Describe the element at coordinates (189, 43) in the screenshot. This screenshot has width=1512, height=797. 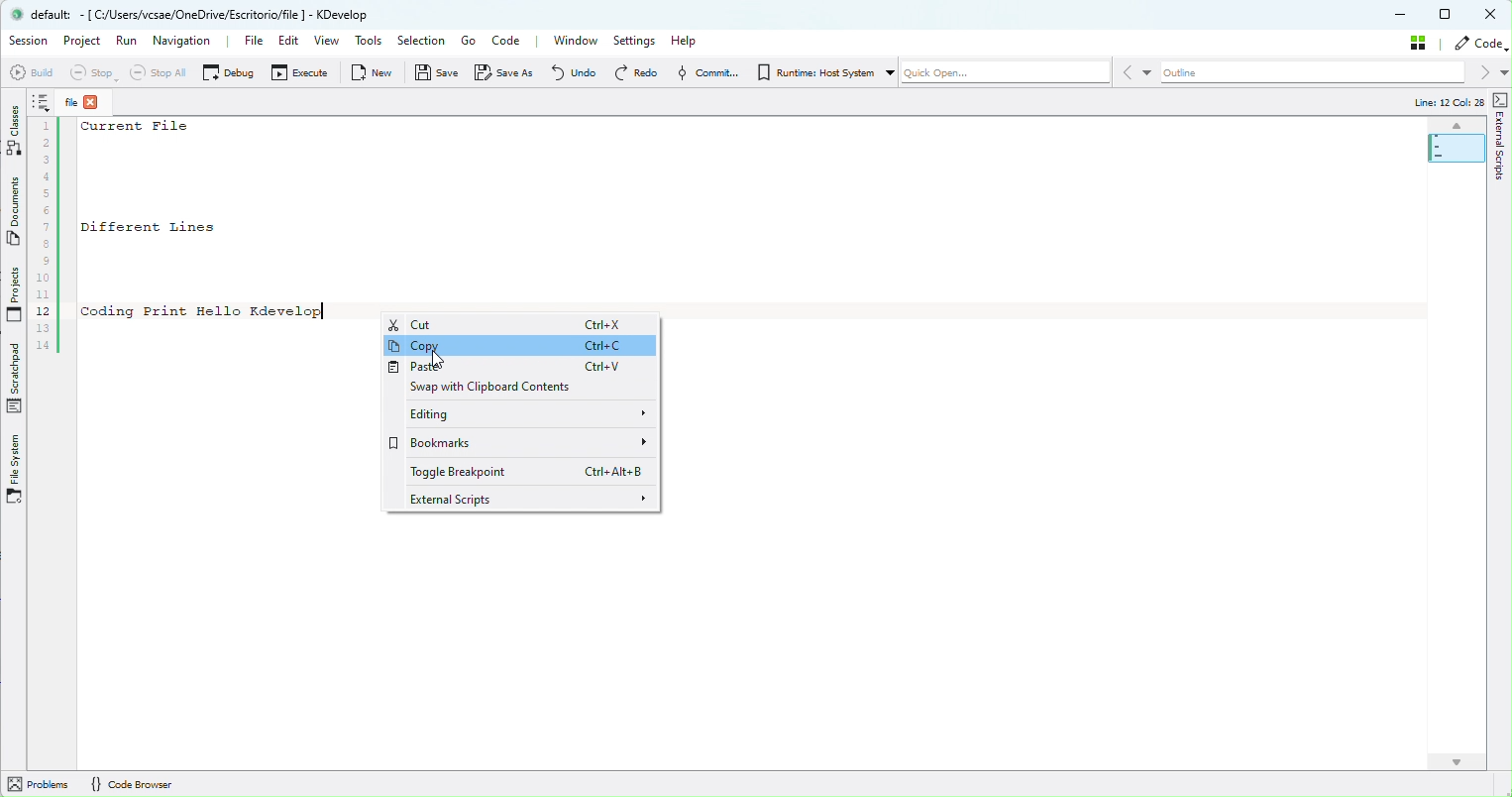
I see `Navigation` at that location.